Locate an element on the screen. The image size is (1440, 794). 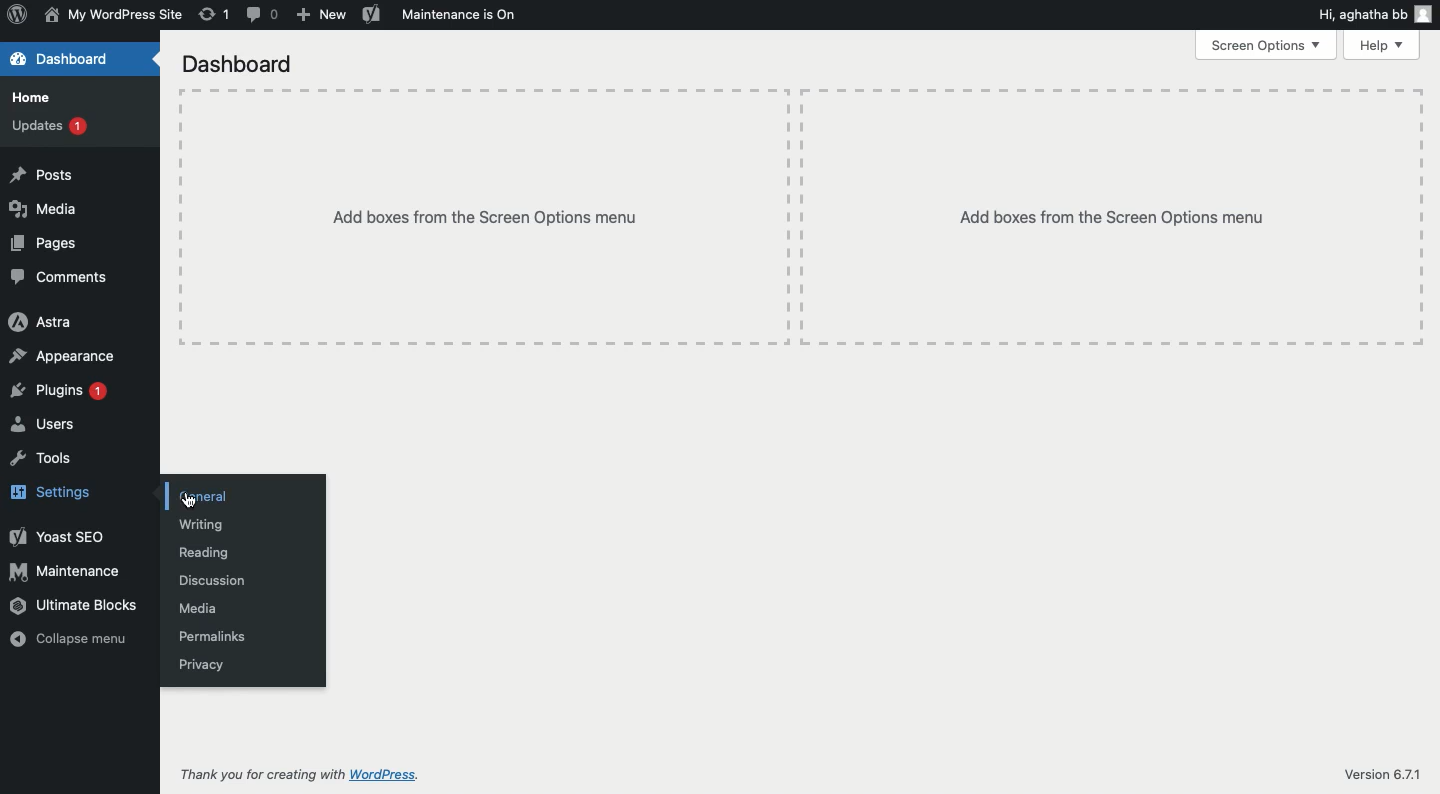
Pages is located at coordinates (49, 245).